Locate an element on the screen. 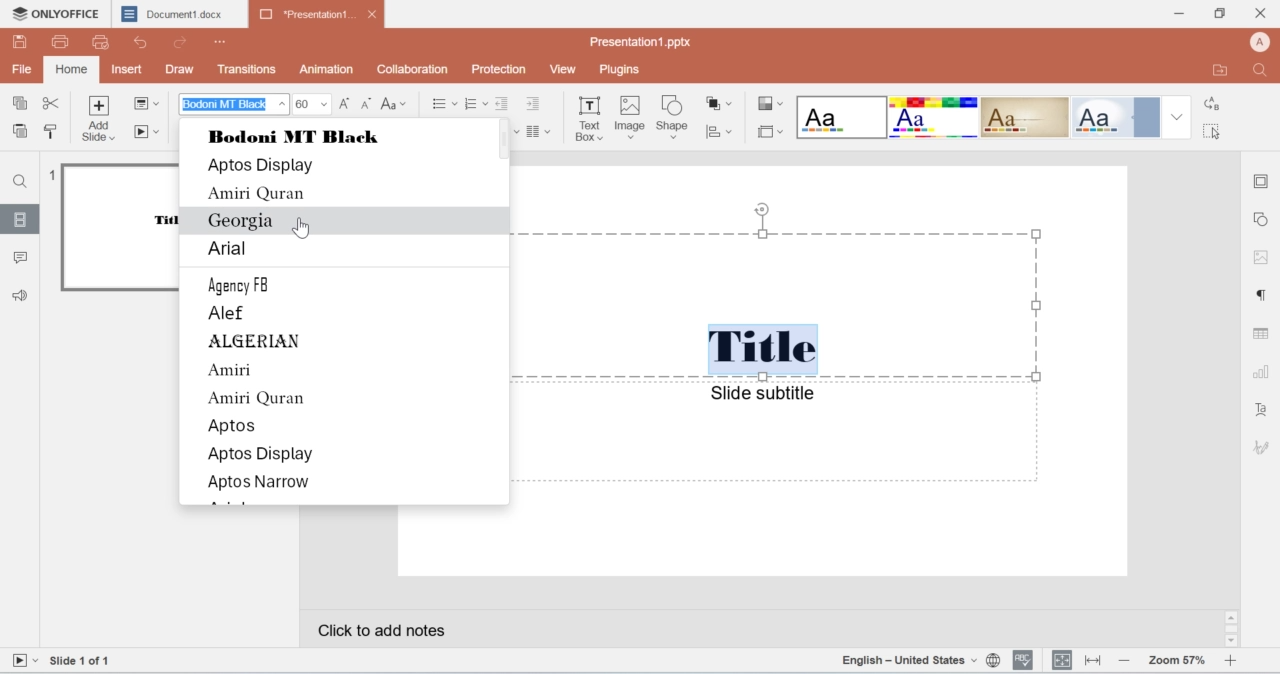  paragraph is located at coordinates (539, 132).